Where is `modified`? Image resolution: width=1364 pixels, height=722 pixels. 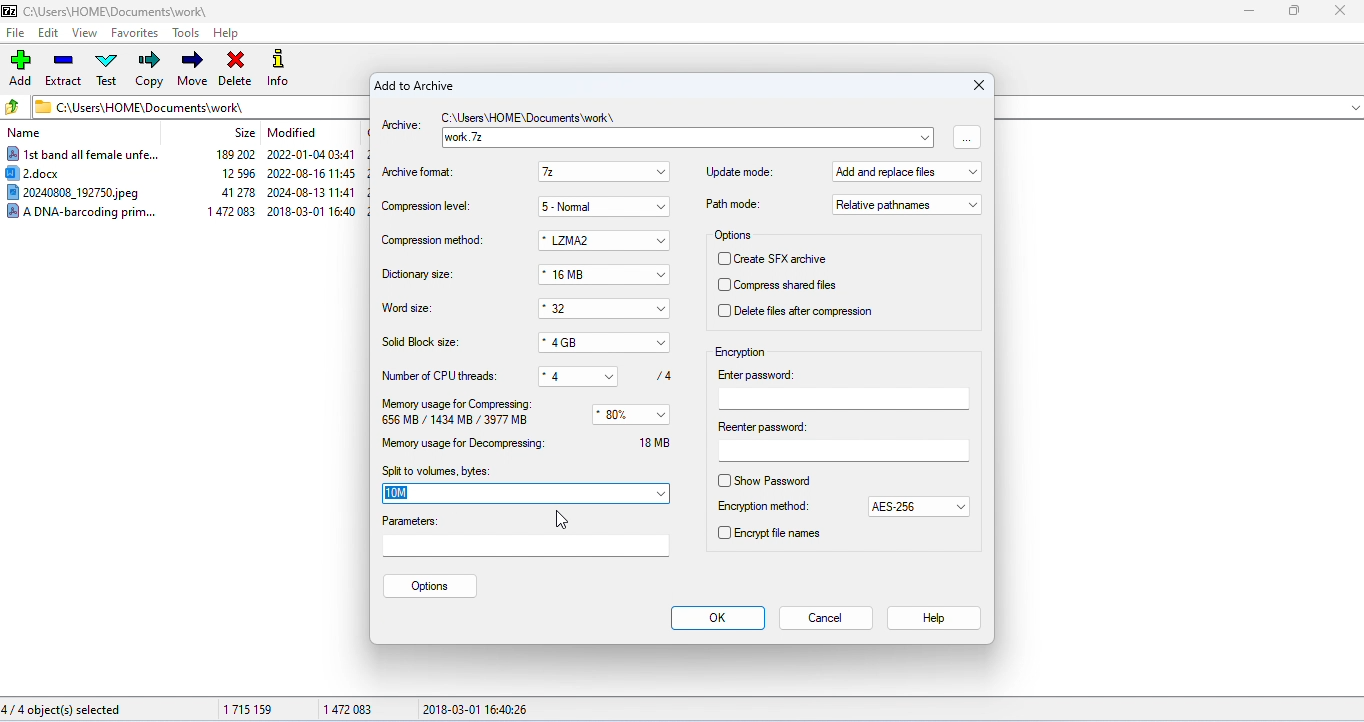
modified is located at coordinates (293, 132).